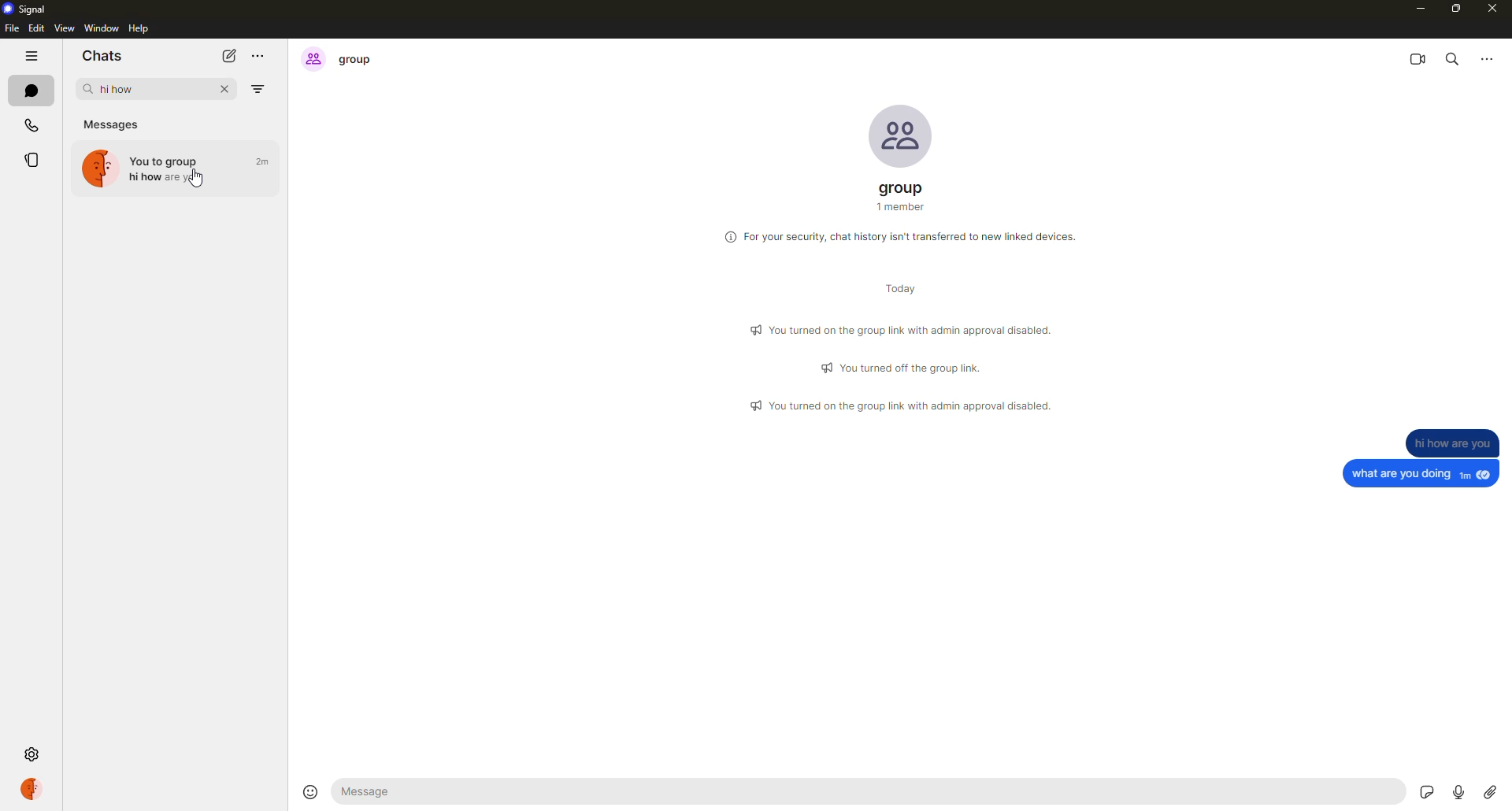  I want to click on record, so click(1458, 790).